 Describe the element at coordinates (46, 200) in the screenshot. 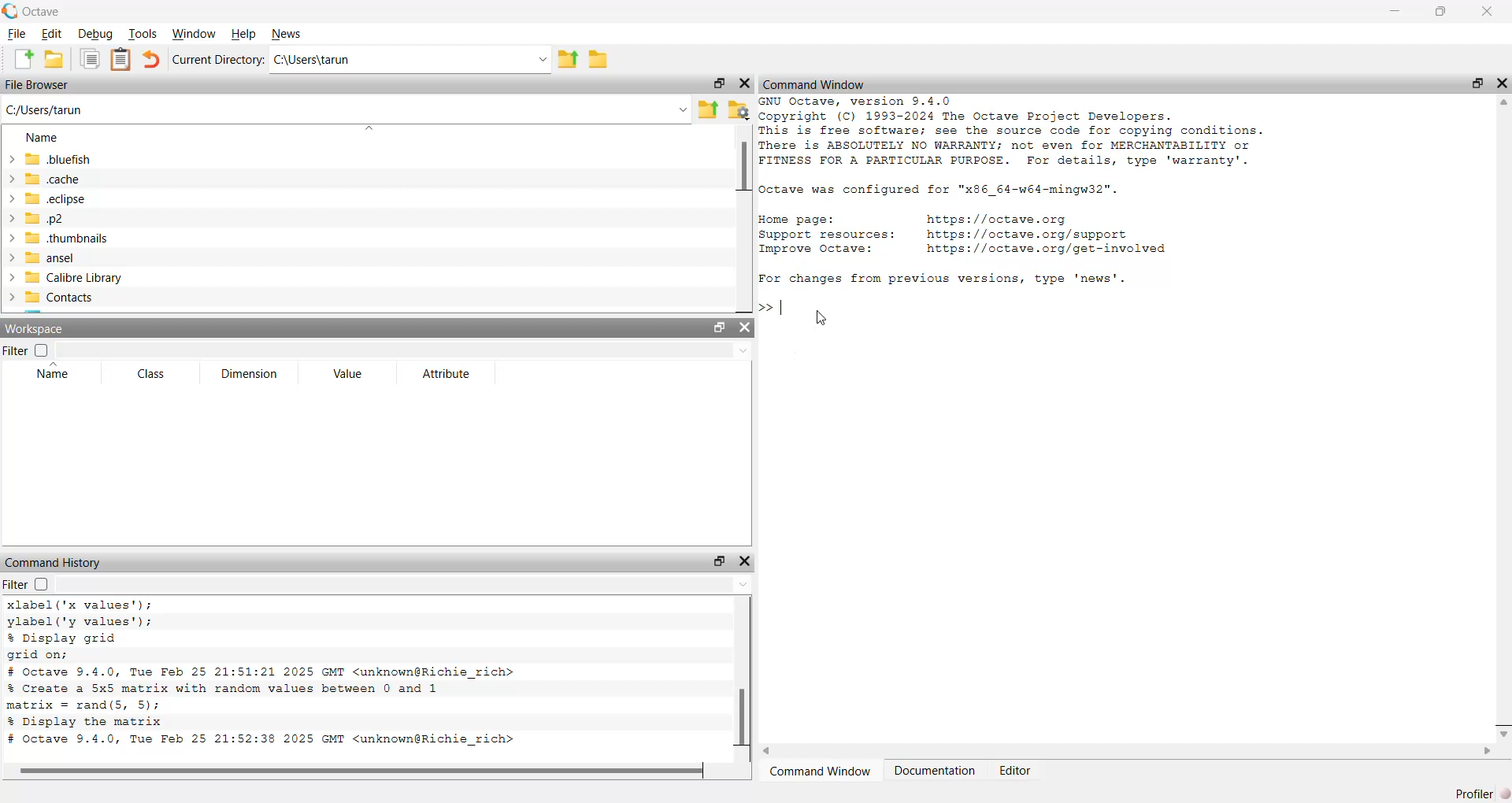

I see `ech` at that location.